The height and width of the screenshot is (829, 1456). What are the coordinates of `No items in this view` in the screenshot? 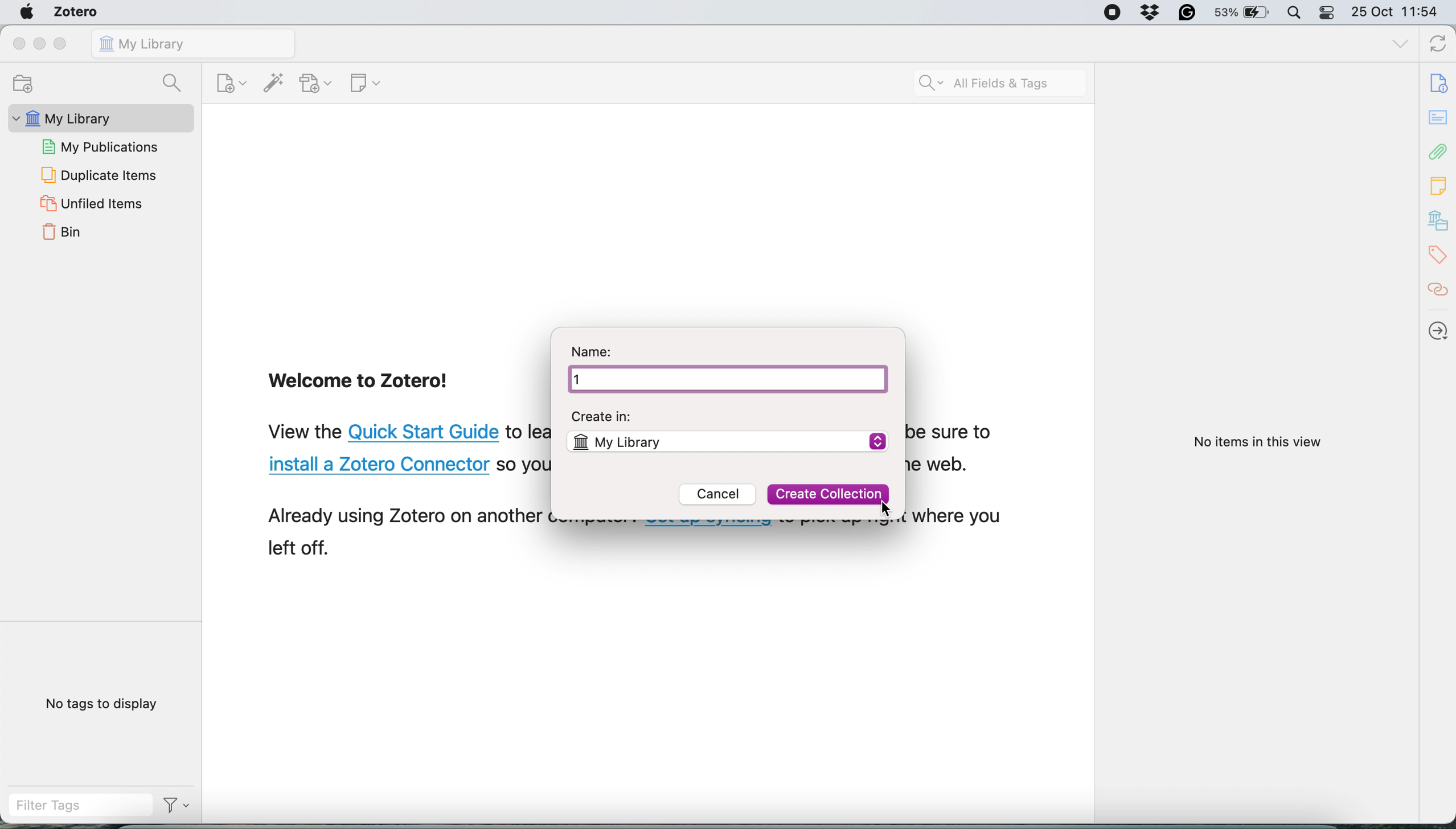 It's located at (1255, 442).